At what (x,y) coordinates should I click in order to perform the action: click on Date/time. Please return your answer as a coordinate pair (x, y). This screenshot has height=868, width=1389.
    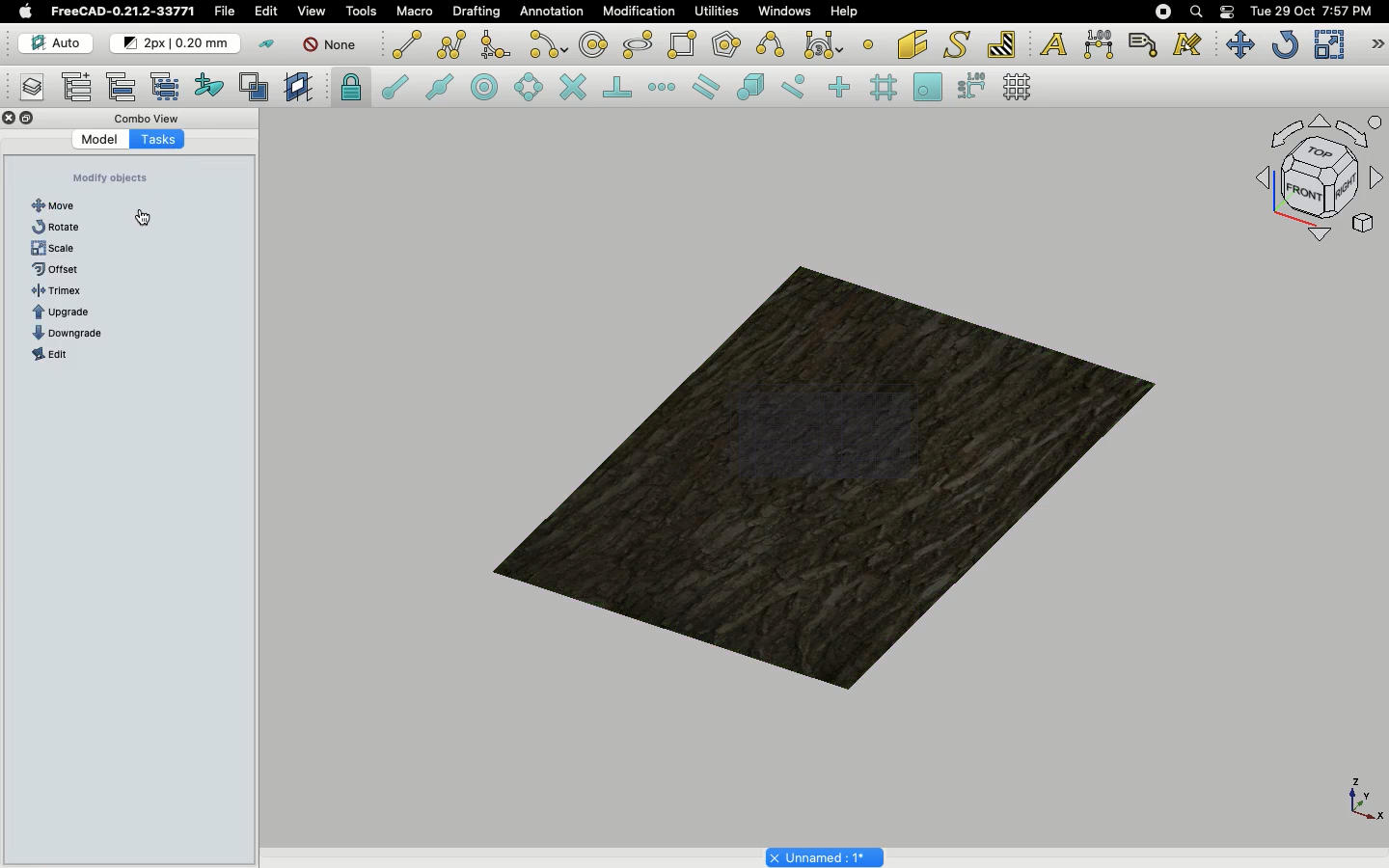
    Looking at the image, I should click on (1311, 10).